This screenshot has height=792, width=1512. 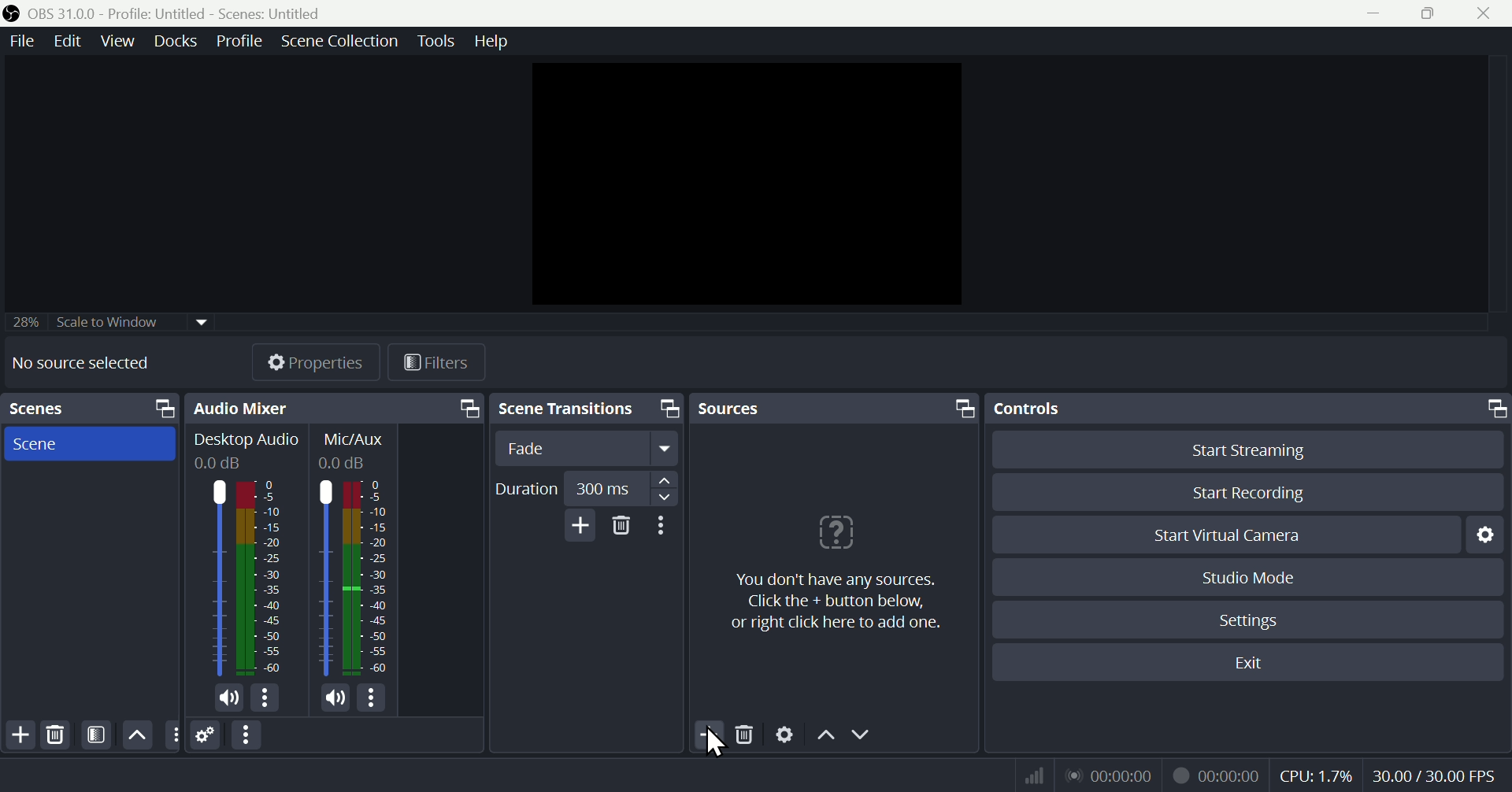 I want to click on More options, so click(x=248, y=735).